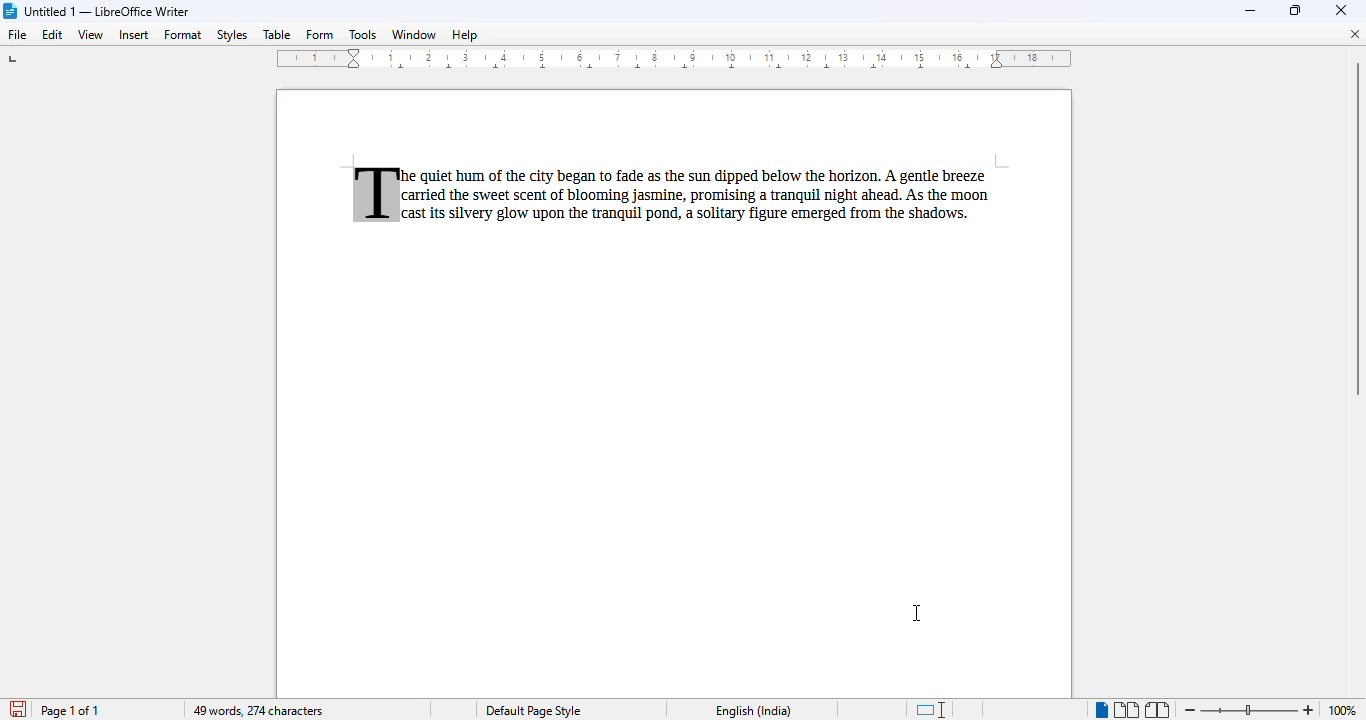  What do you see at coordinates (277, 34) in the screenshot?
I see `table` at bounding box center [277, 34].